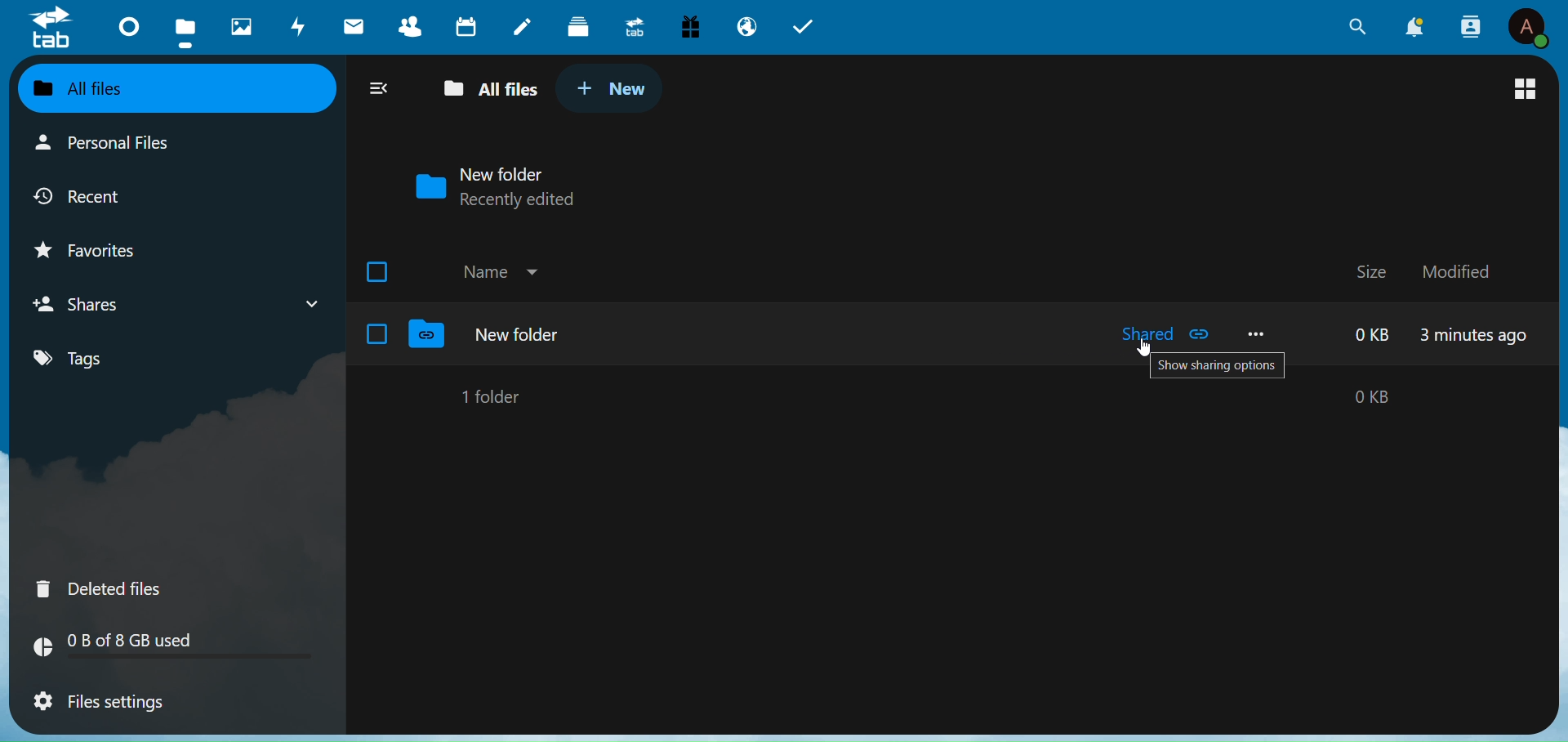 The width and height of the screenshot is (1568, 742). I want to click on Deck, so click(576, 24).